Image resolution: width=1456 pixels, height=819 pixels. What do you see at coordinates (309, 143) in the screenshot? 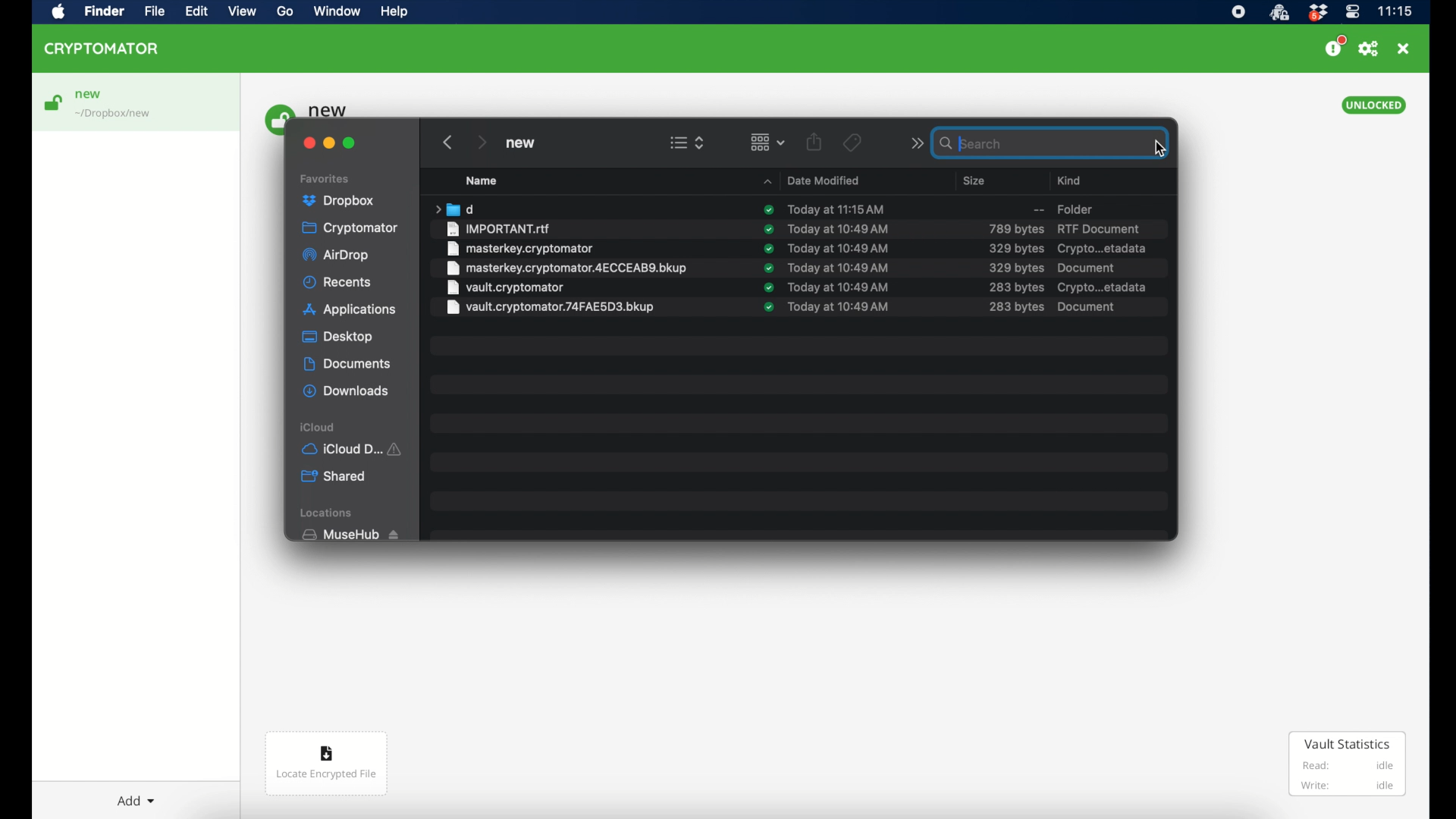
I see `close` at bounding box center [309, 143].